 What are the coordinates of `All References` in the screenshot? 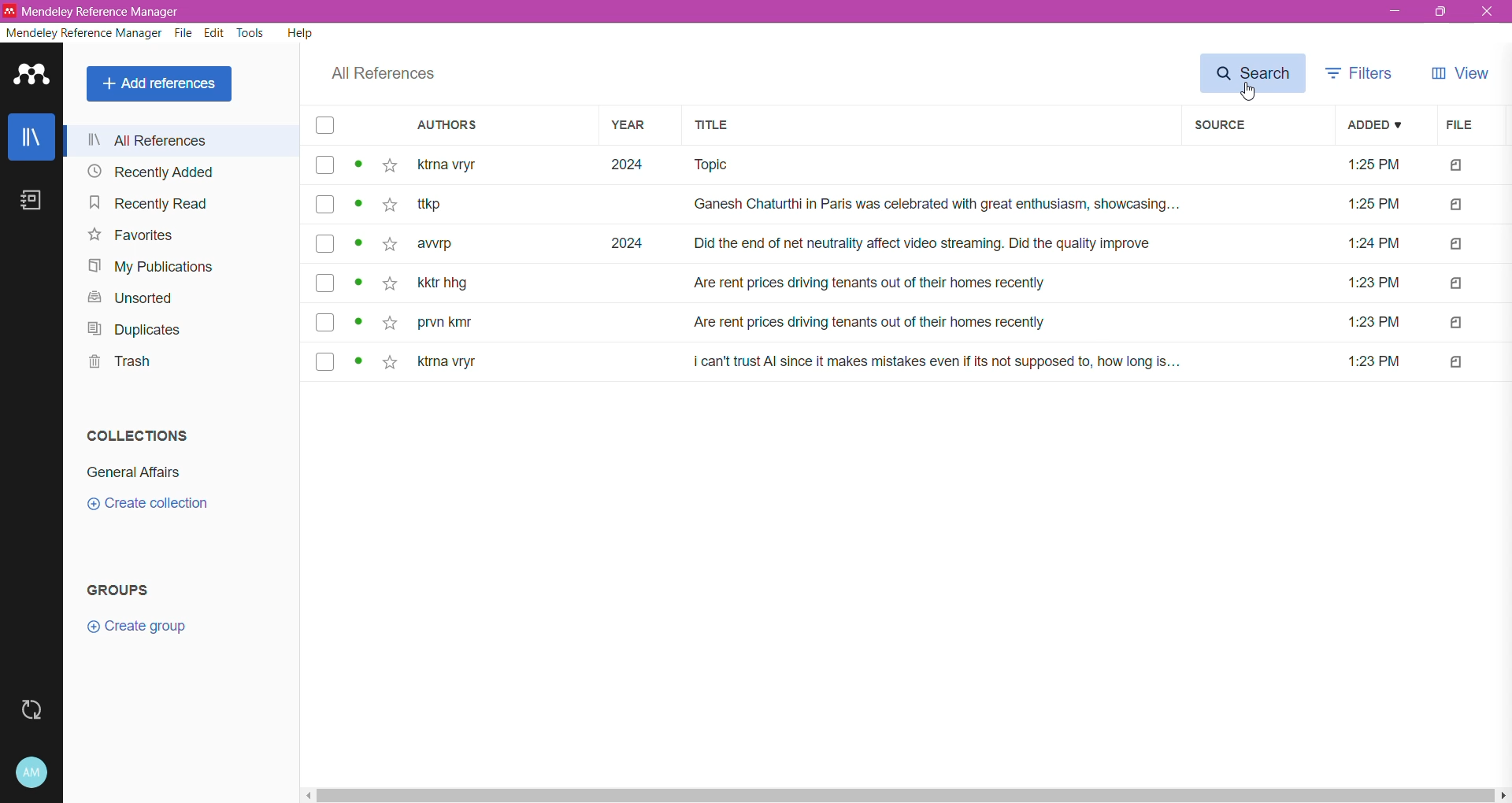 It's located at (381, 74).